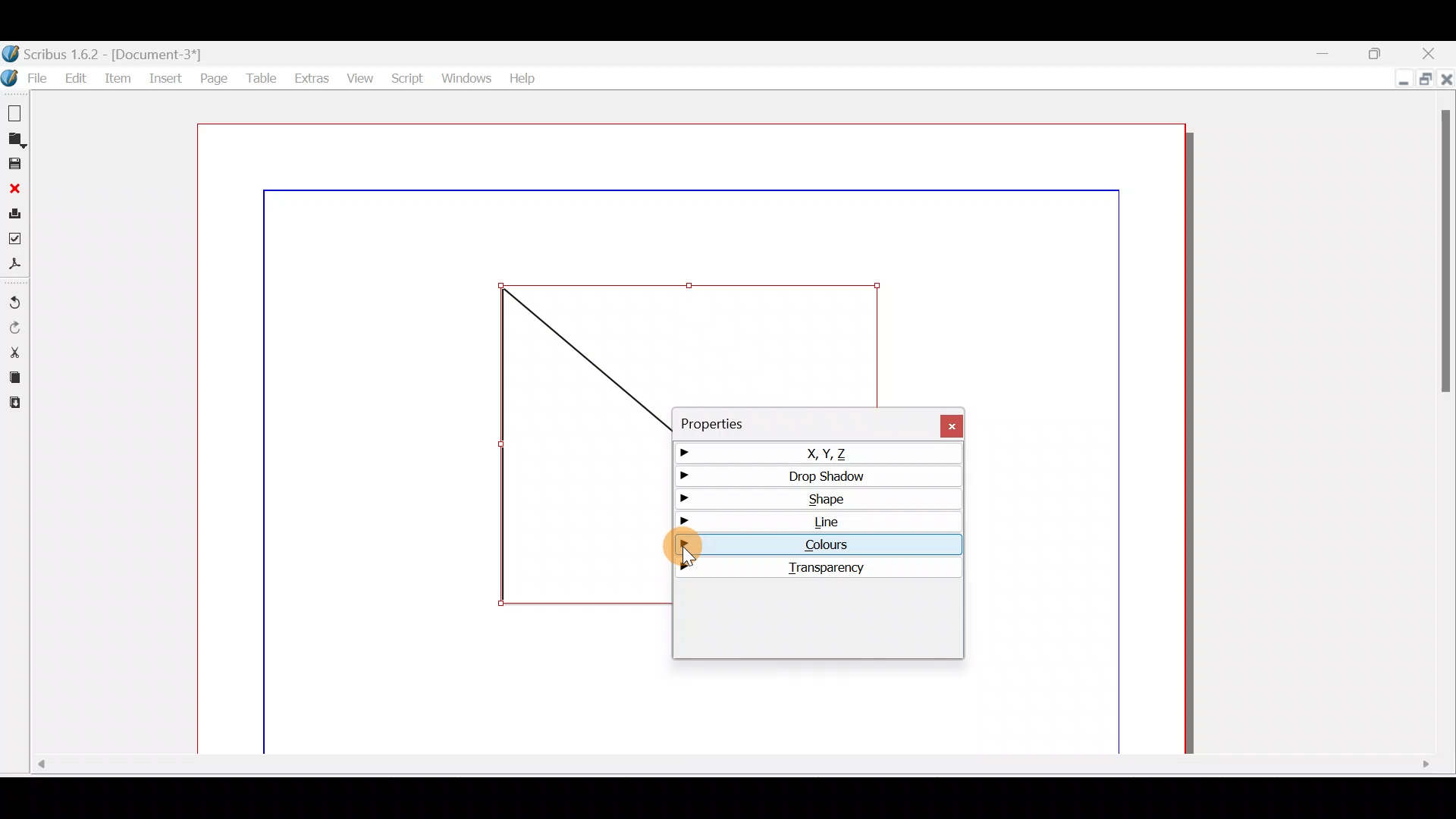  Describe the element at coordinates (1382, 52) in the screenshot. I see `Maximise` at that location.